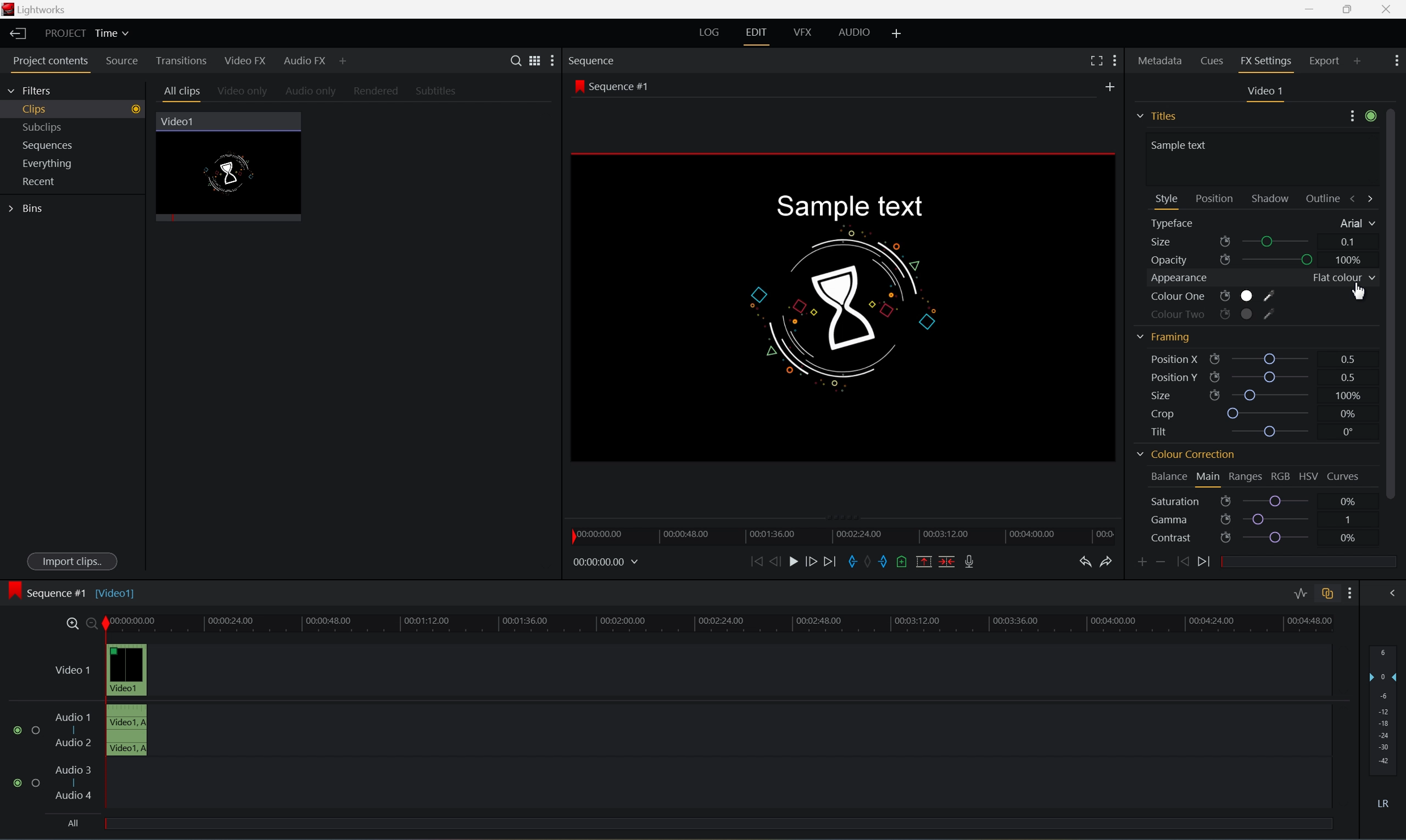  I want to click on checkbox, so click(38, 731).